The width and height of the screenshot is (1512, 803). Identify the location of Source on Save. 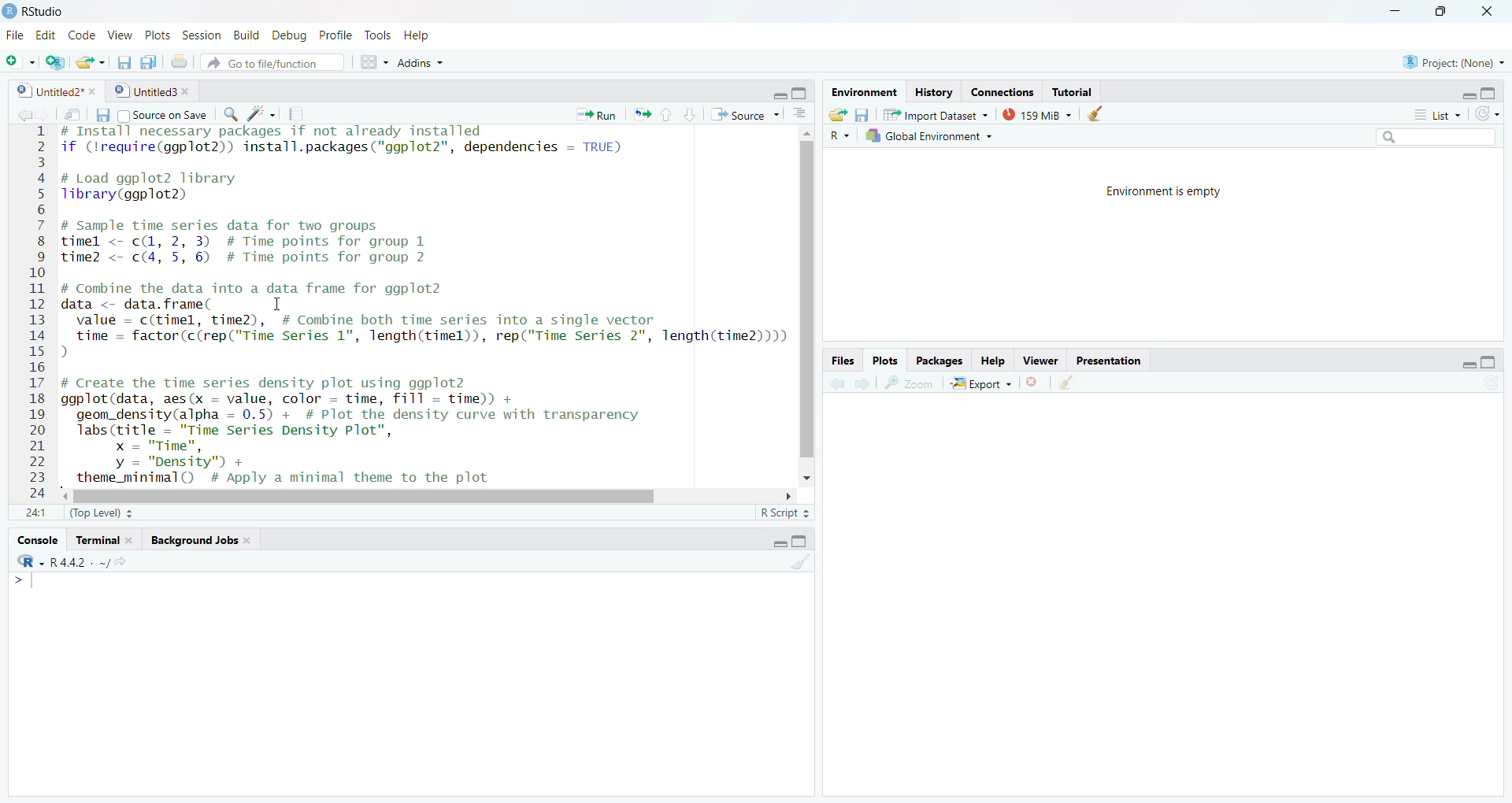
(161, 116).